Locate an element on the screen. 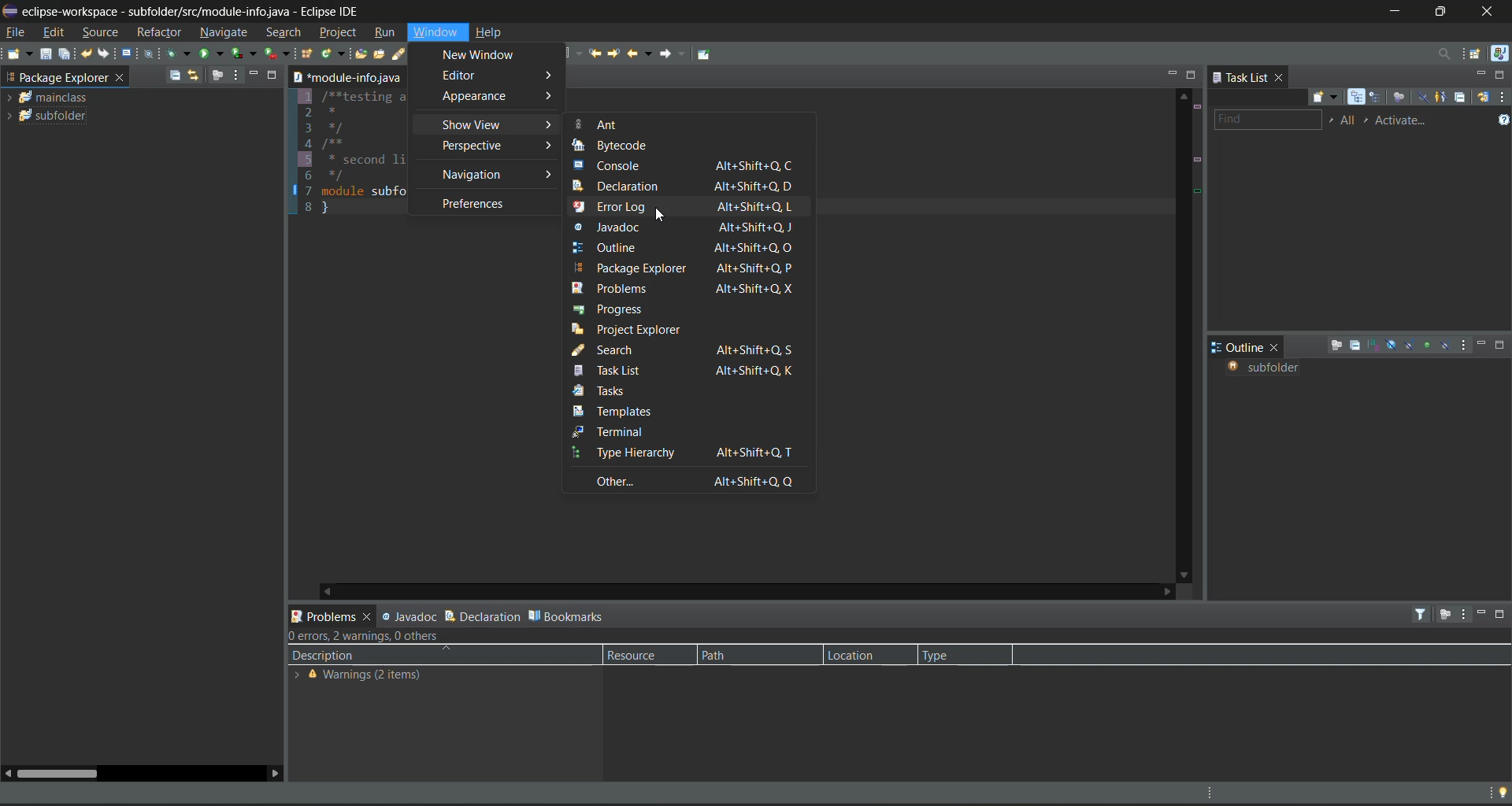 The image size is (1512, 806). collapse all is located at coordinates (1357, 346).